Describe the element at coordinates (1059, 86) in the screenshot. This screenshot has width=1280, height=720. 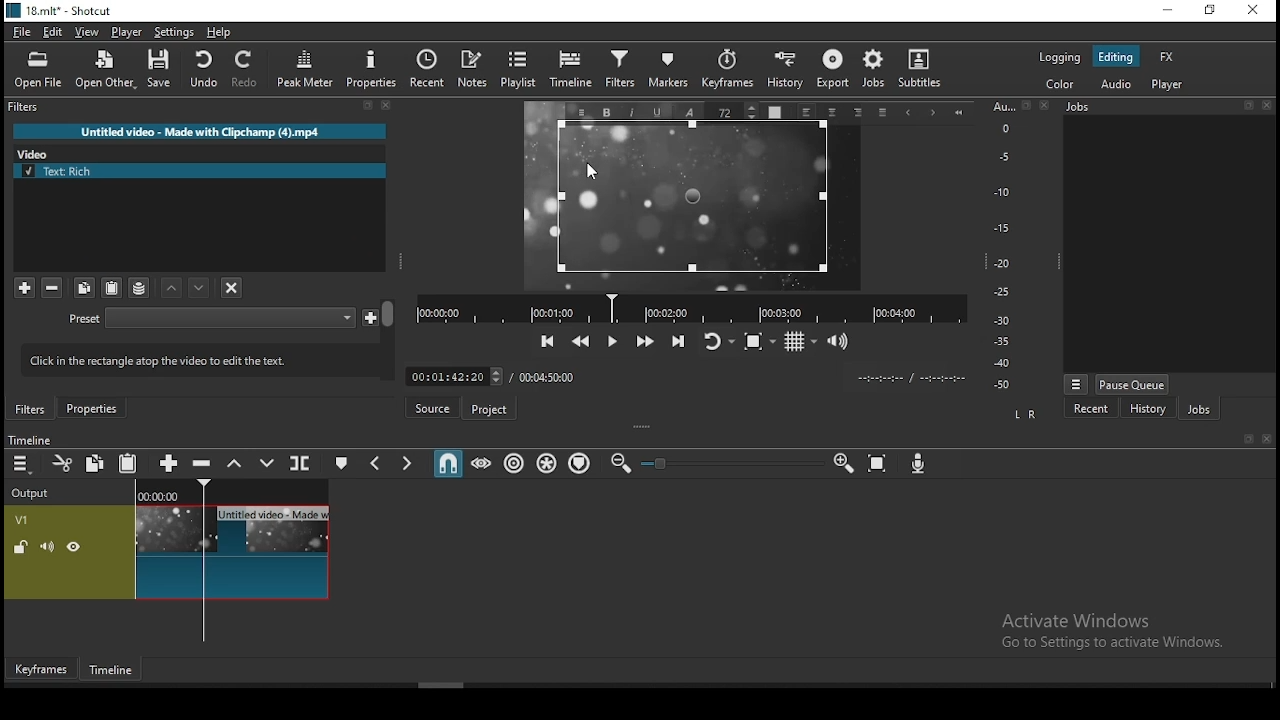
I see `color` at that location.